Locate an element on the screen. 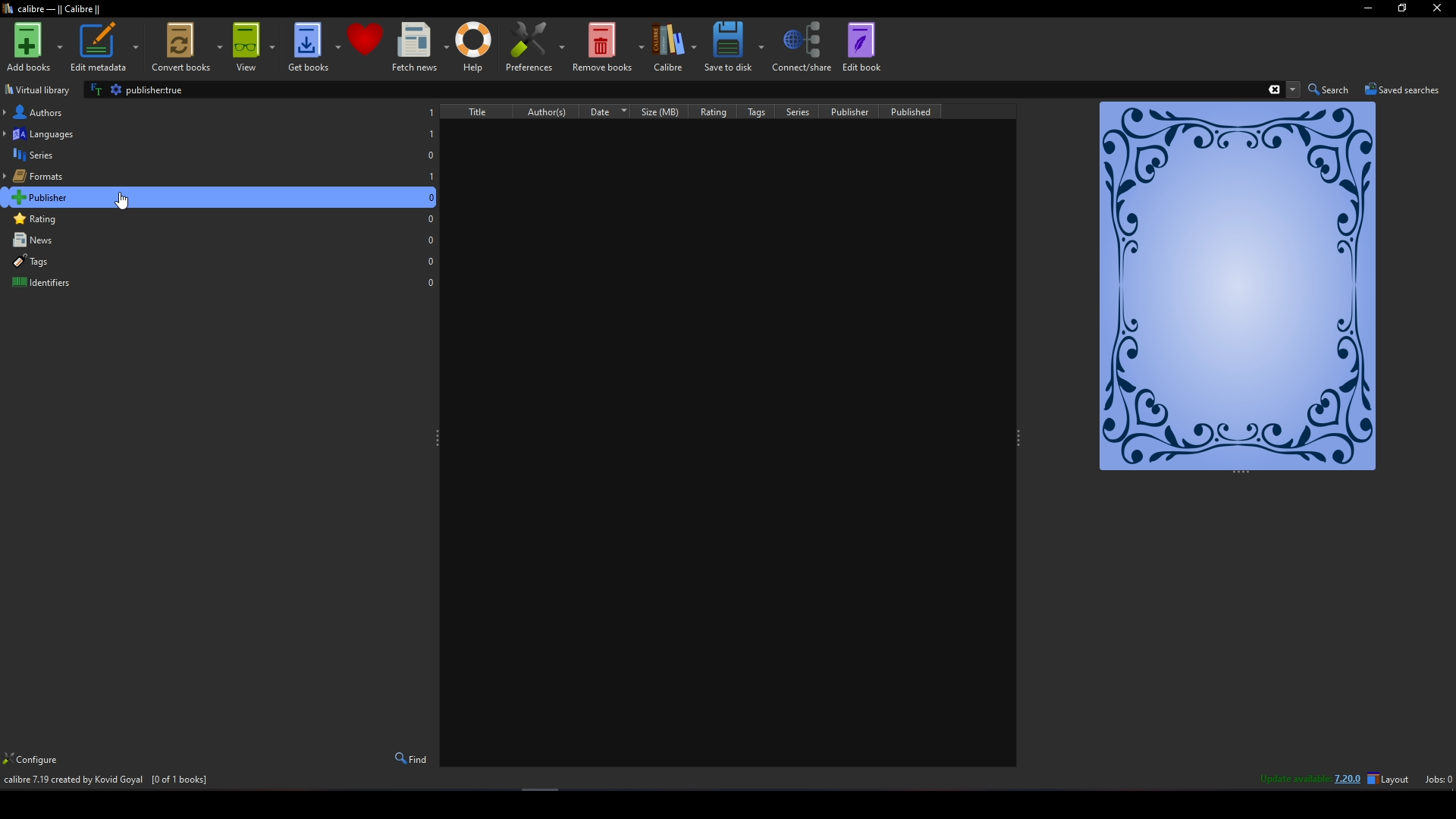  Saved searches is located at coordinates (1403, 89).